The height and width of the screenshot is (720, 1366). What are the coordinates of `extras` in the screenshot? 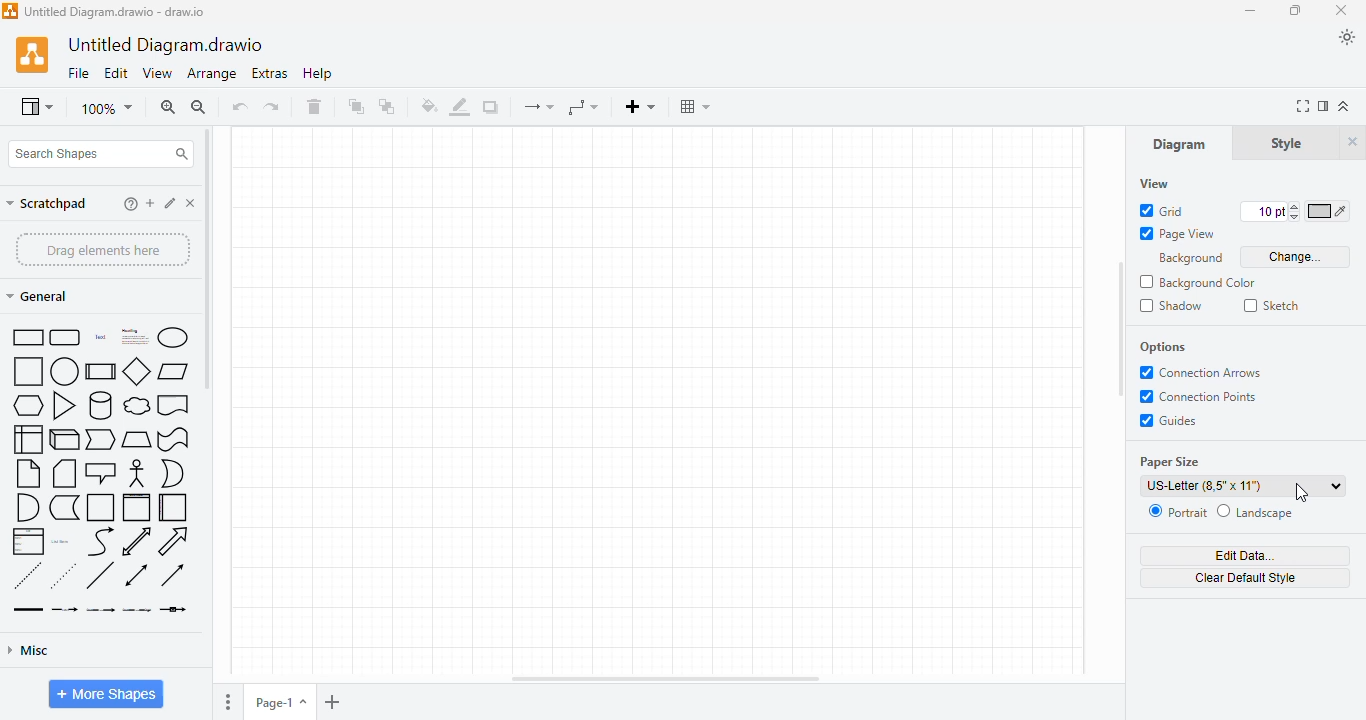 It's located at (270, 74).